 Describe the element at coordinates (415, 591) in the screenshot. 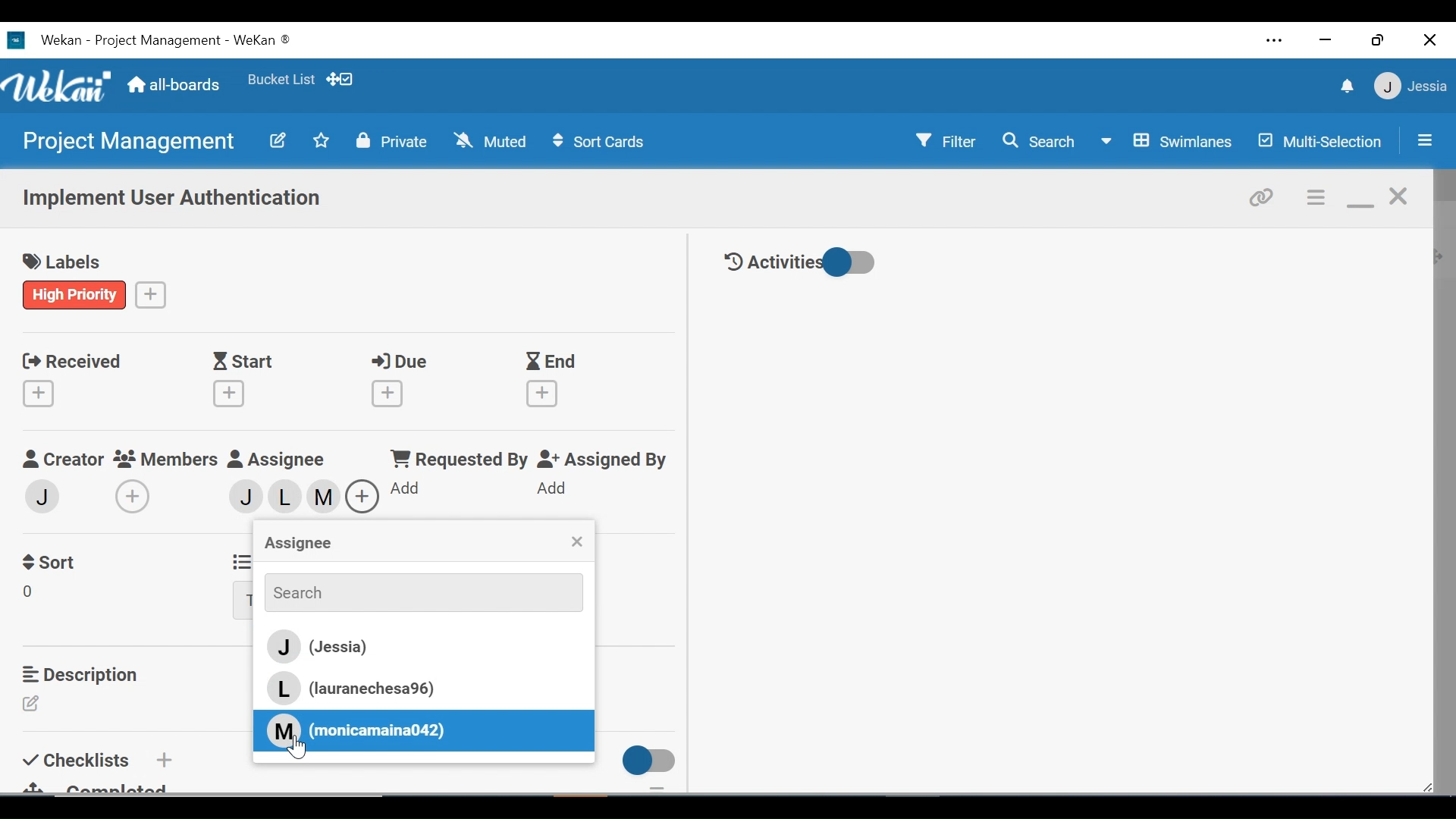

I see `Search members` at that location.